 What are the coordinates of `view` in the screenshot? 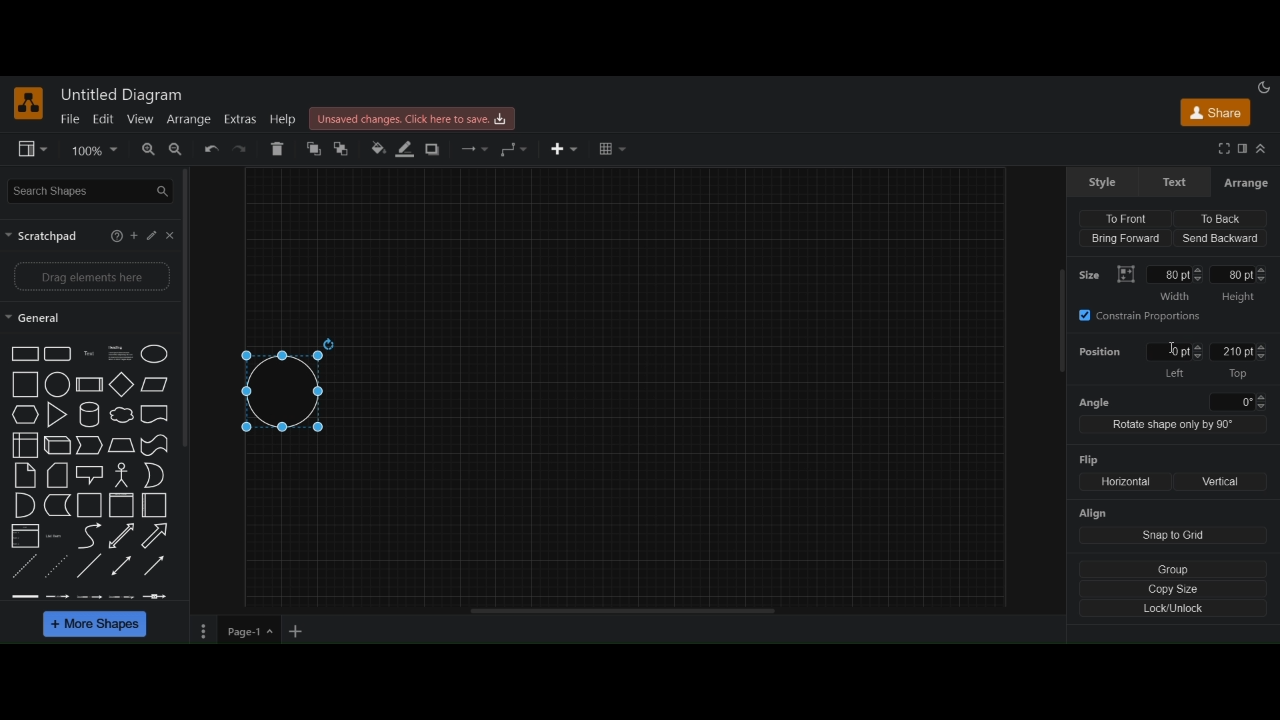 It's located at (139, 119).